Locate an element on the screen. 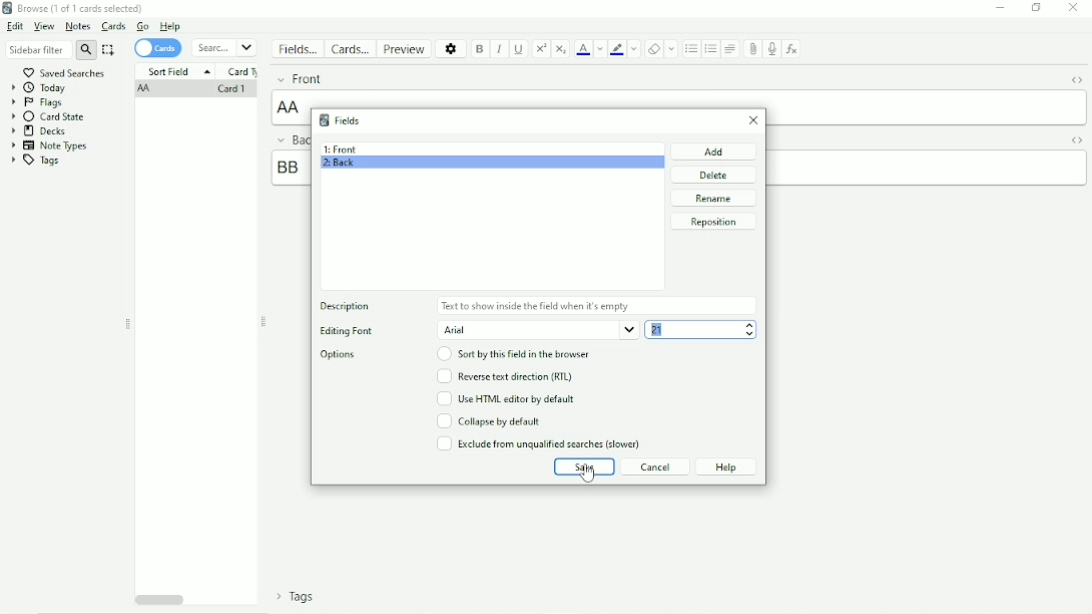 This screenshot has width=1092, height=614. Alignment is located at coordinates (731, 48).